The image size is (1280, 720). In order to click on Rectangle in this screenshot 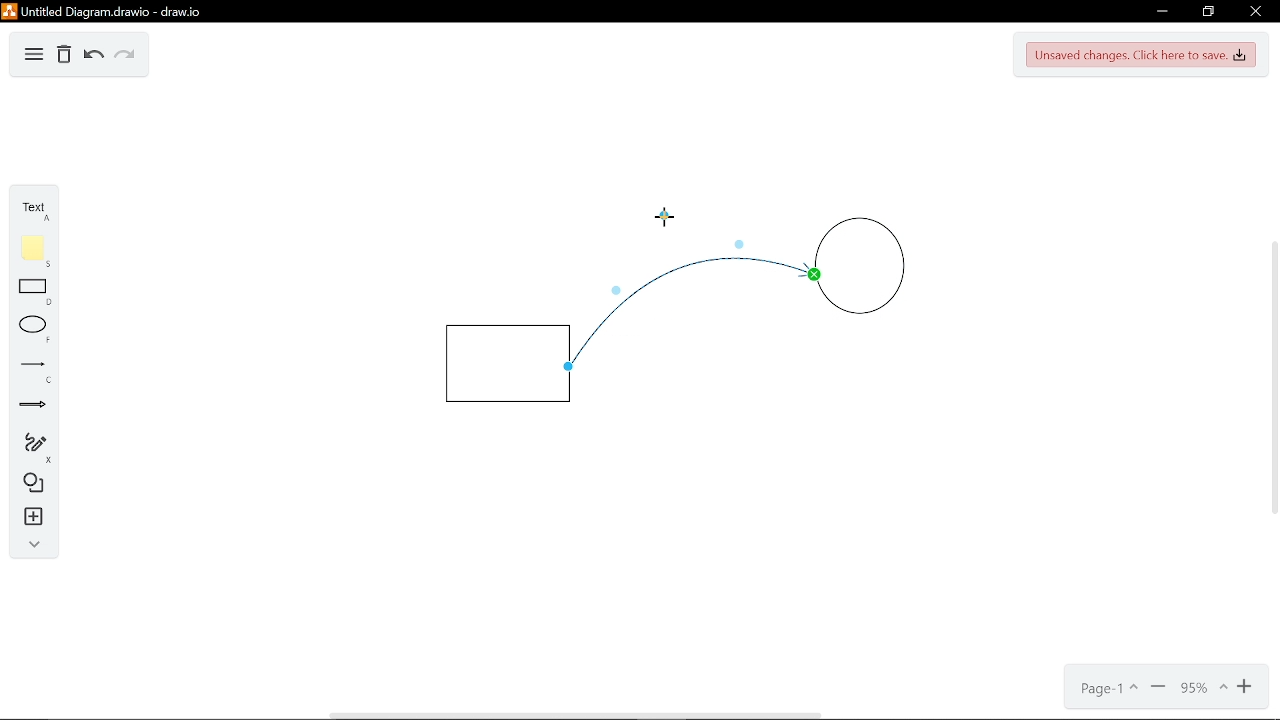, I will do `click(507, 363)`.